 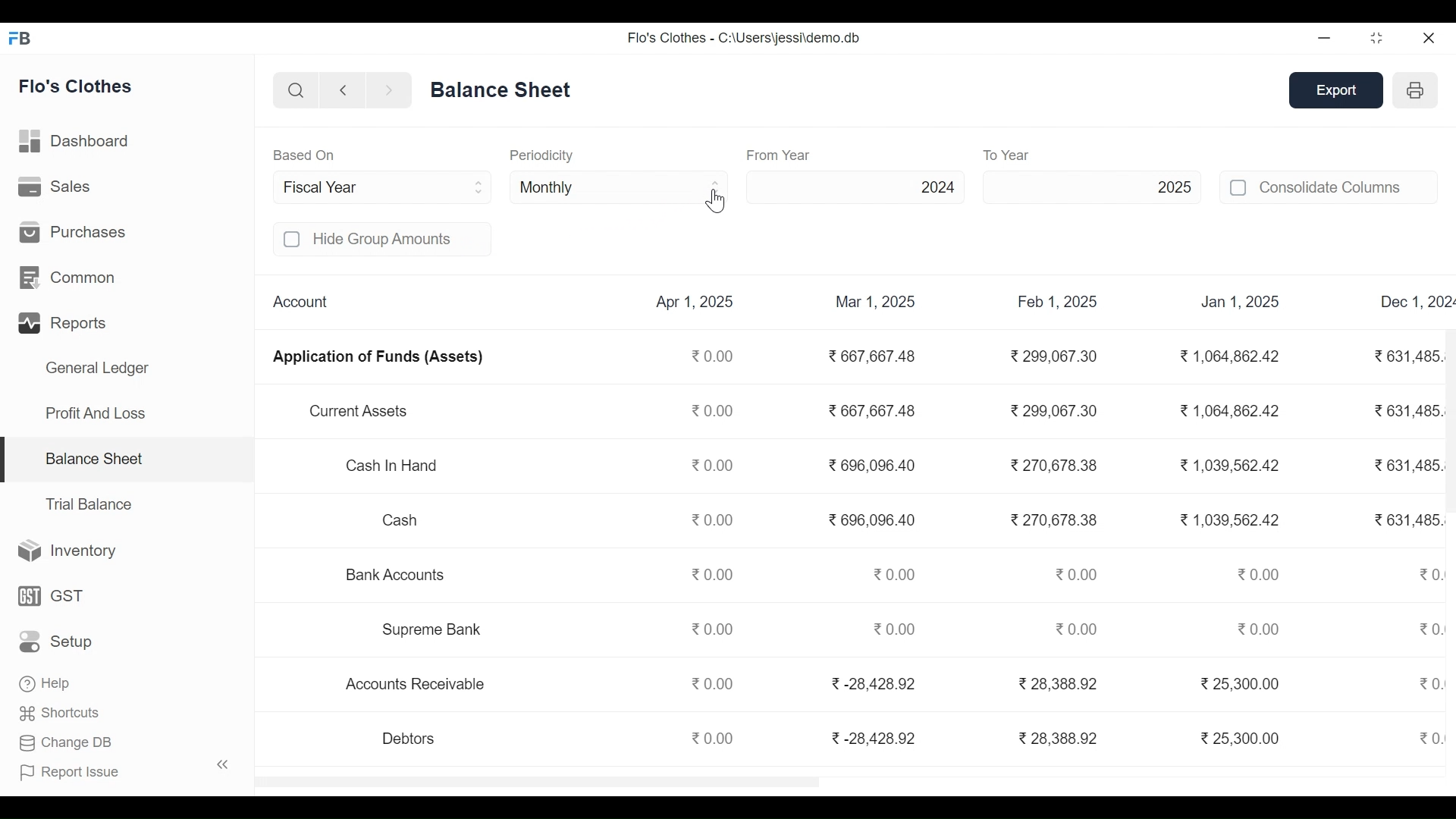 I want to click on inventory, so click(x=68, y=551).